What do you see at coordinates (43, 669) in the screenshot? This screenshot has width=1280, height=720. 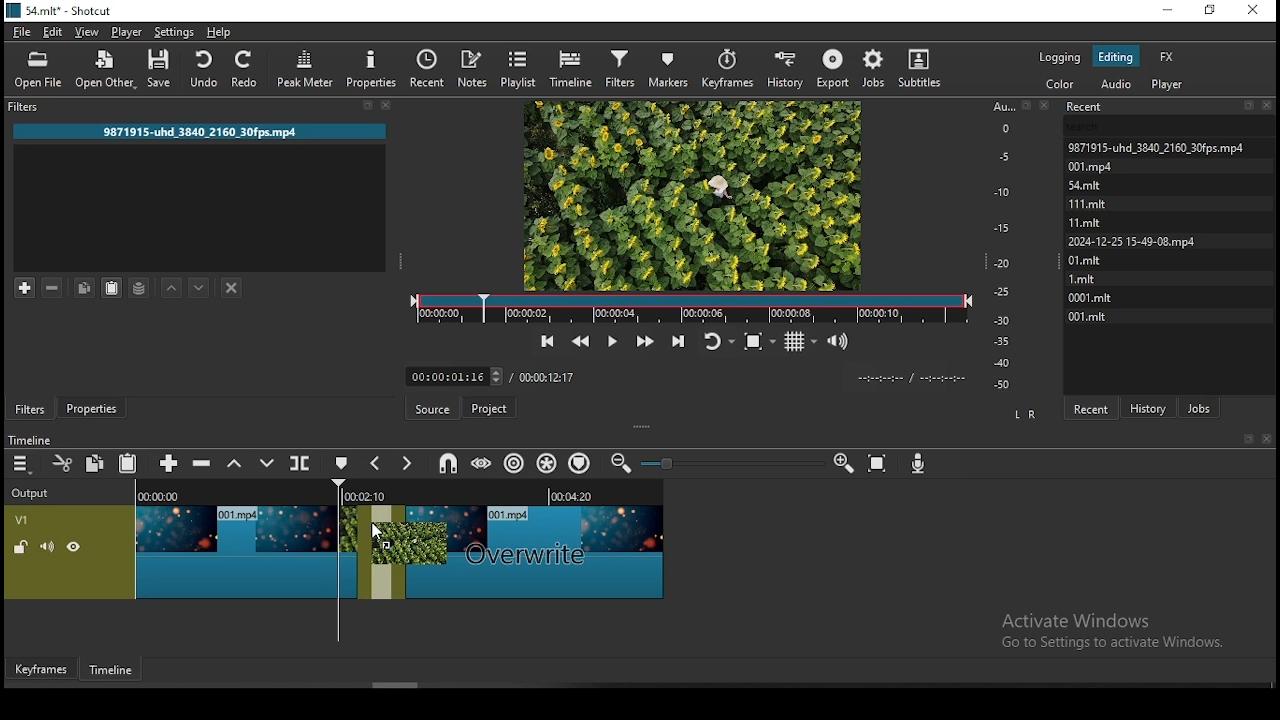 I see `keyframe` at bounding box center [43, 669].